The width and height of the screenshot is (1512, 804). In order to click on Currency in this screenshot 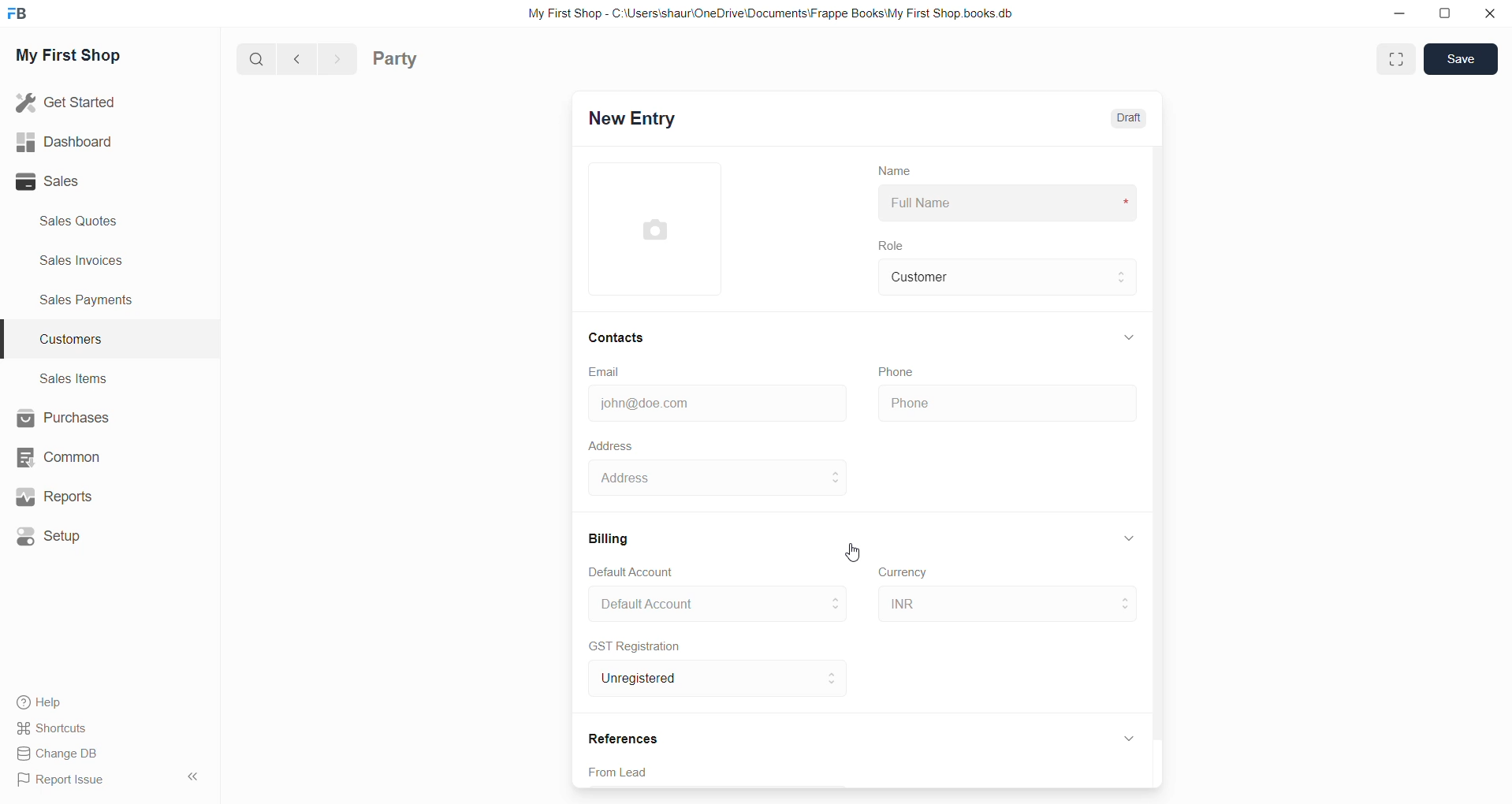, I will do `click(907, 574)`.